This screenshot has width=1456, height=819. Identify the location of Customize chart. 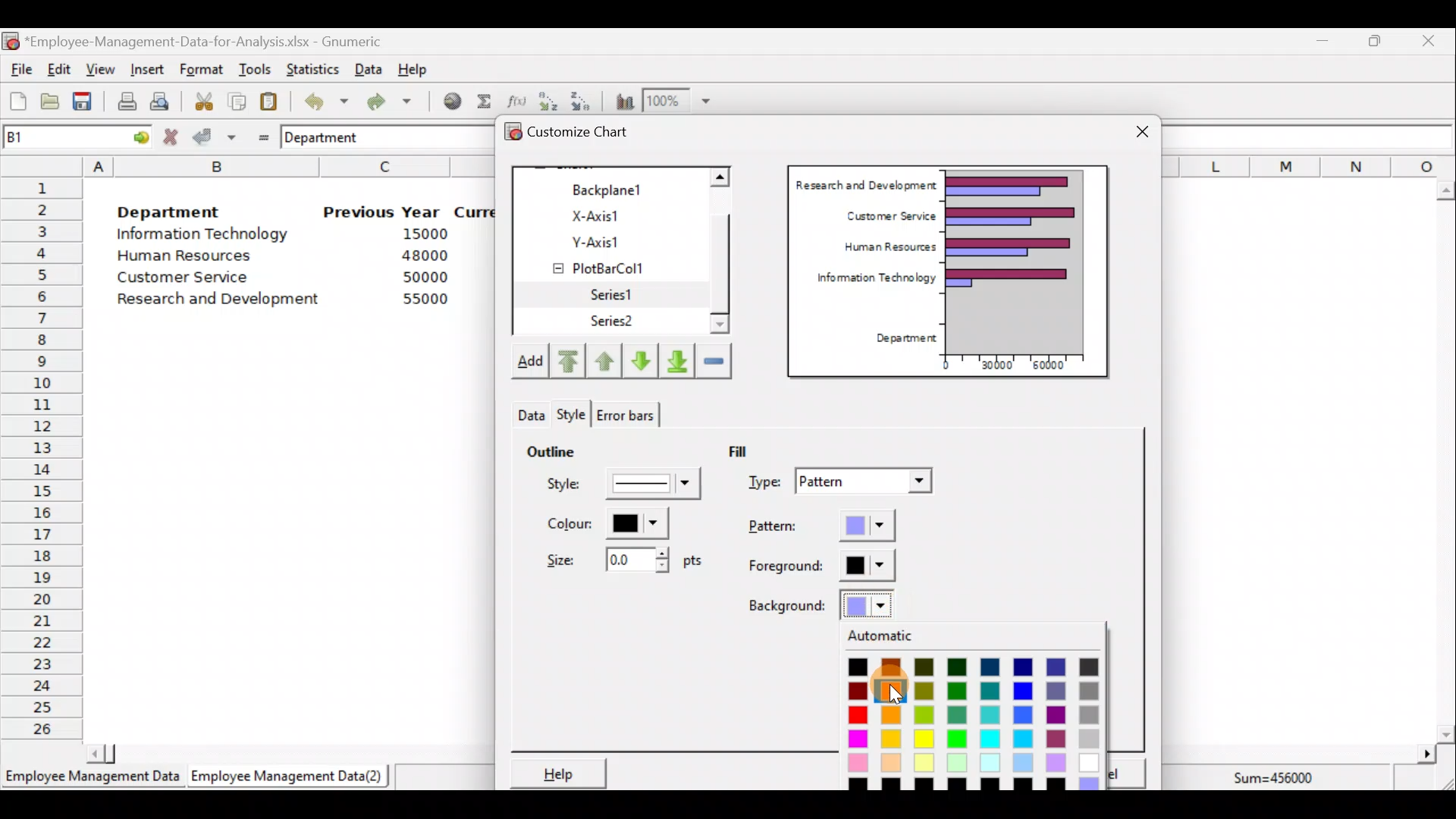
(588, 134).